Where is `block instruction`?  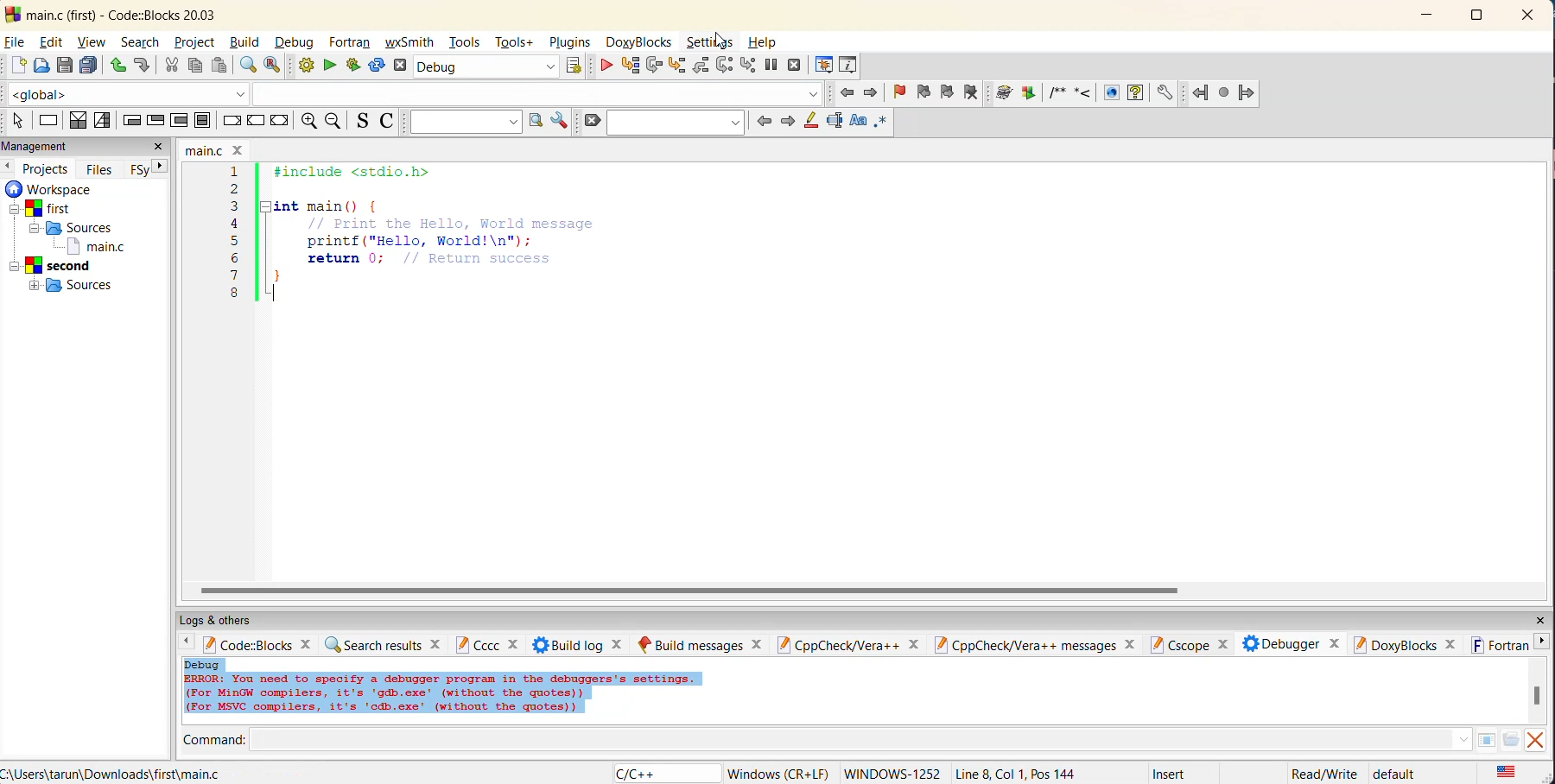
block instruction is located at coordinates (202, 121).